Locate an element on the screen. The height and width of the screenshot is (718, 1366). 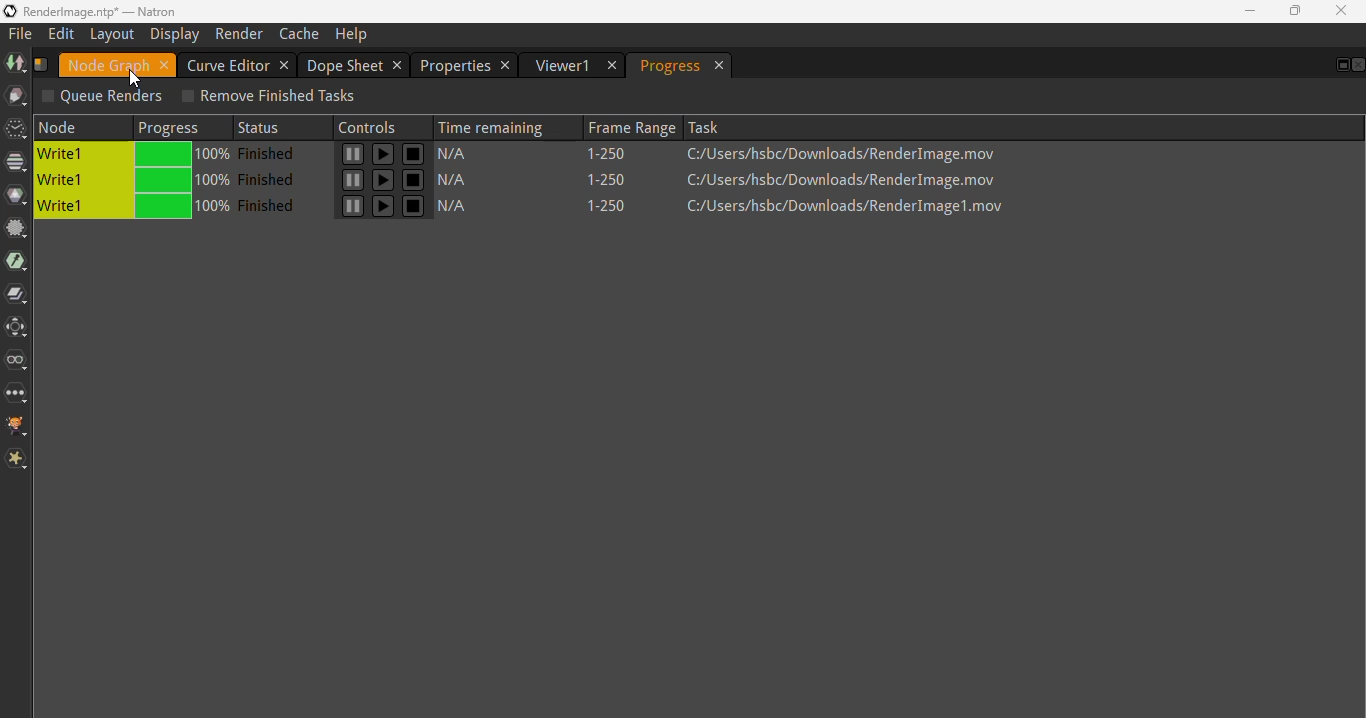
node is located at coordinates (83, 127).